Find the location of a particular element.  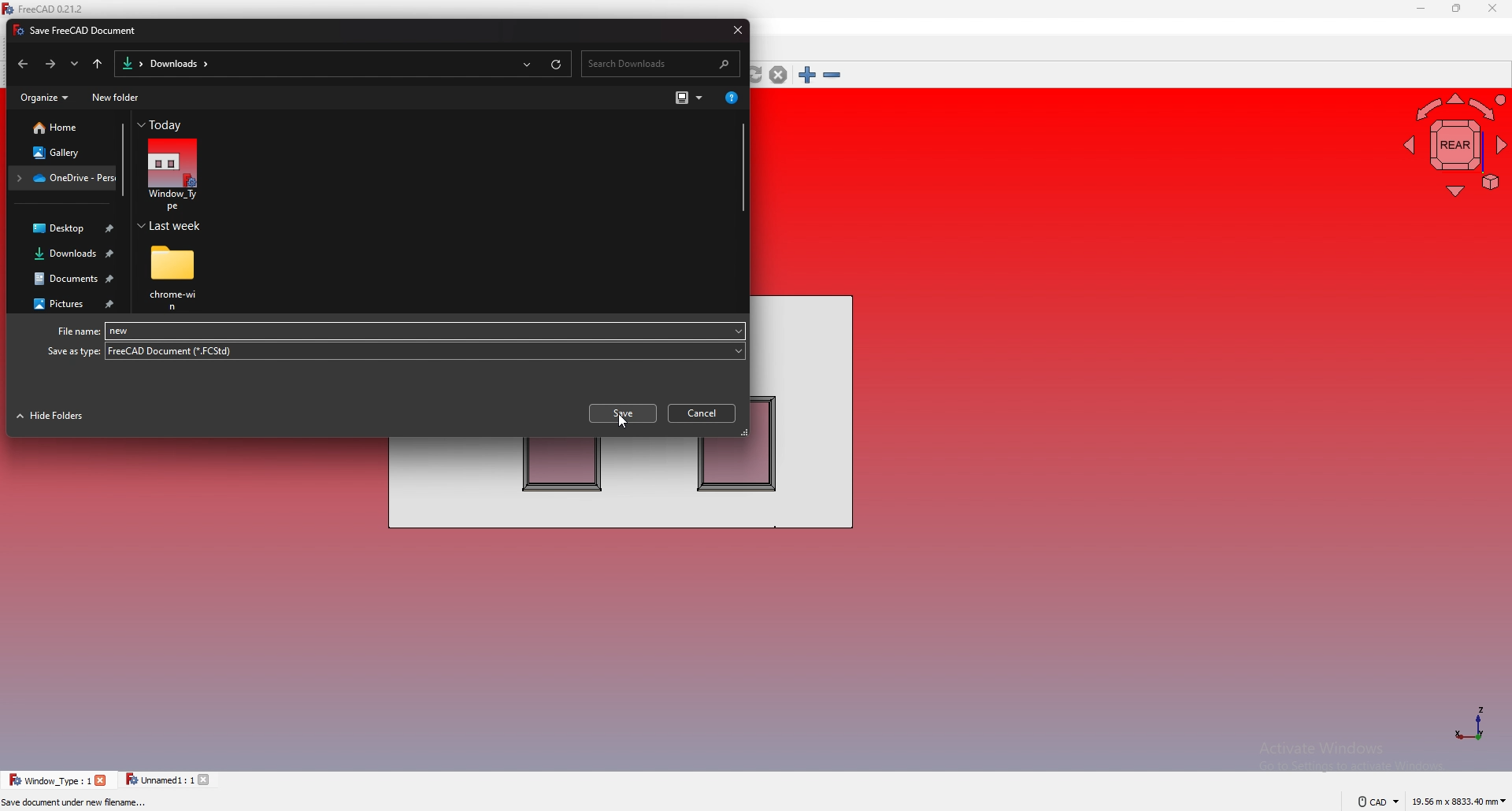

Save FreeCAD Document is located at coordinates (80, 31).